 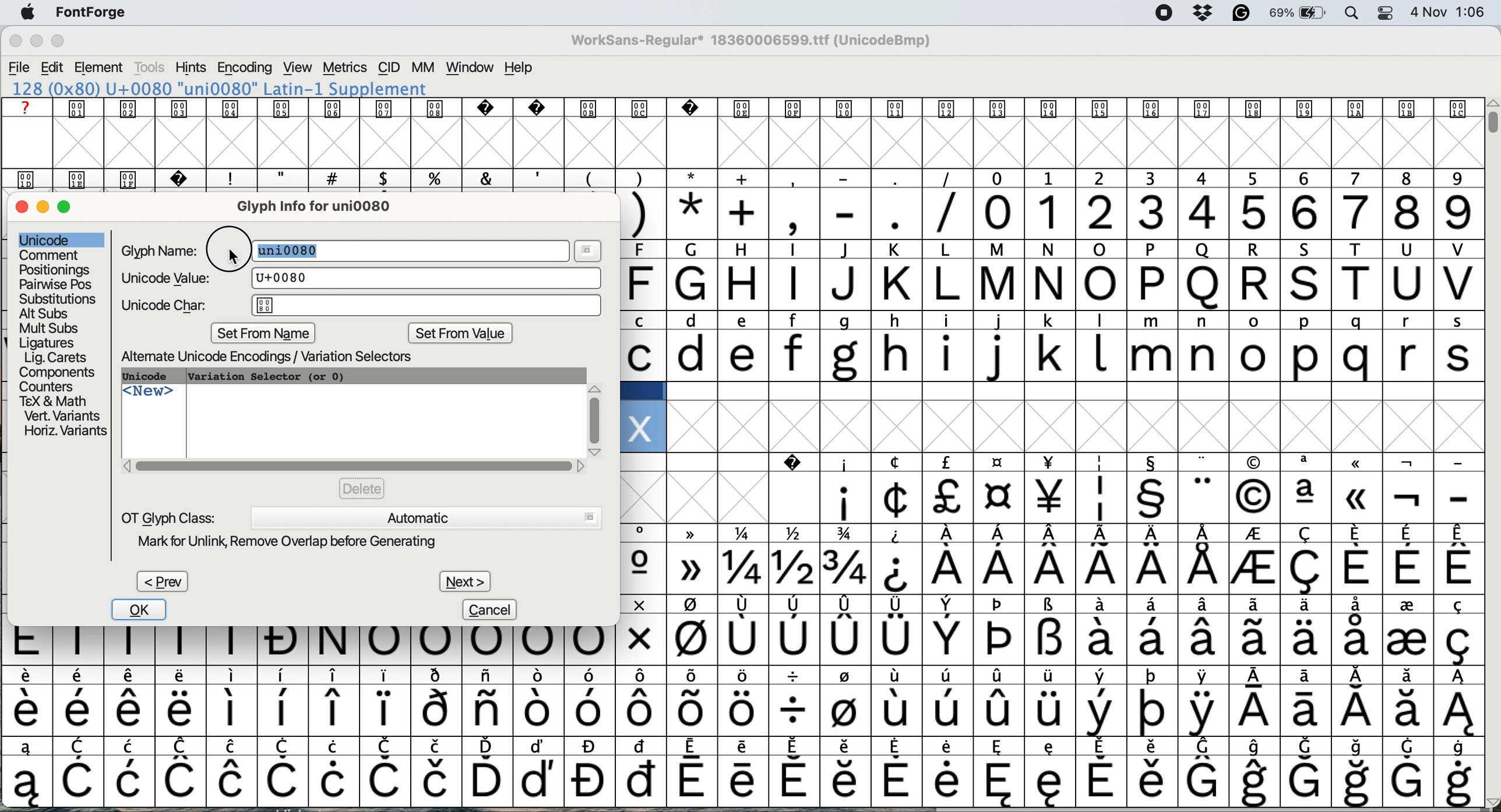 What do you see at coordinates (65, 43) in the screenshot?
I see `maximise` at bounding box center [65, 43].